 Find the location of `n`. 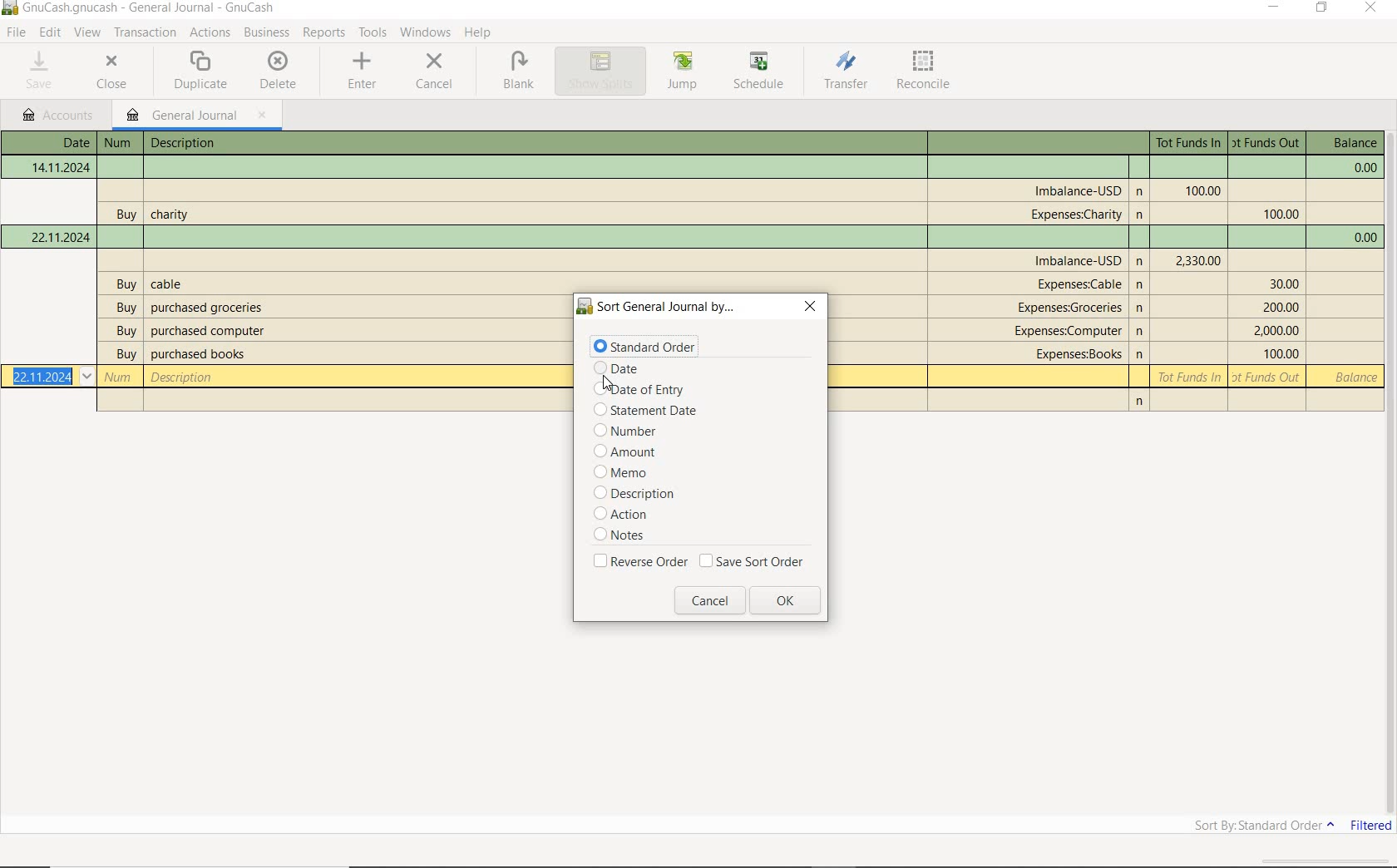

n is located at coordinates (1142, 330).